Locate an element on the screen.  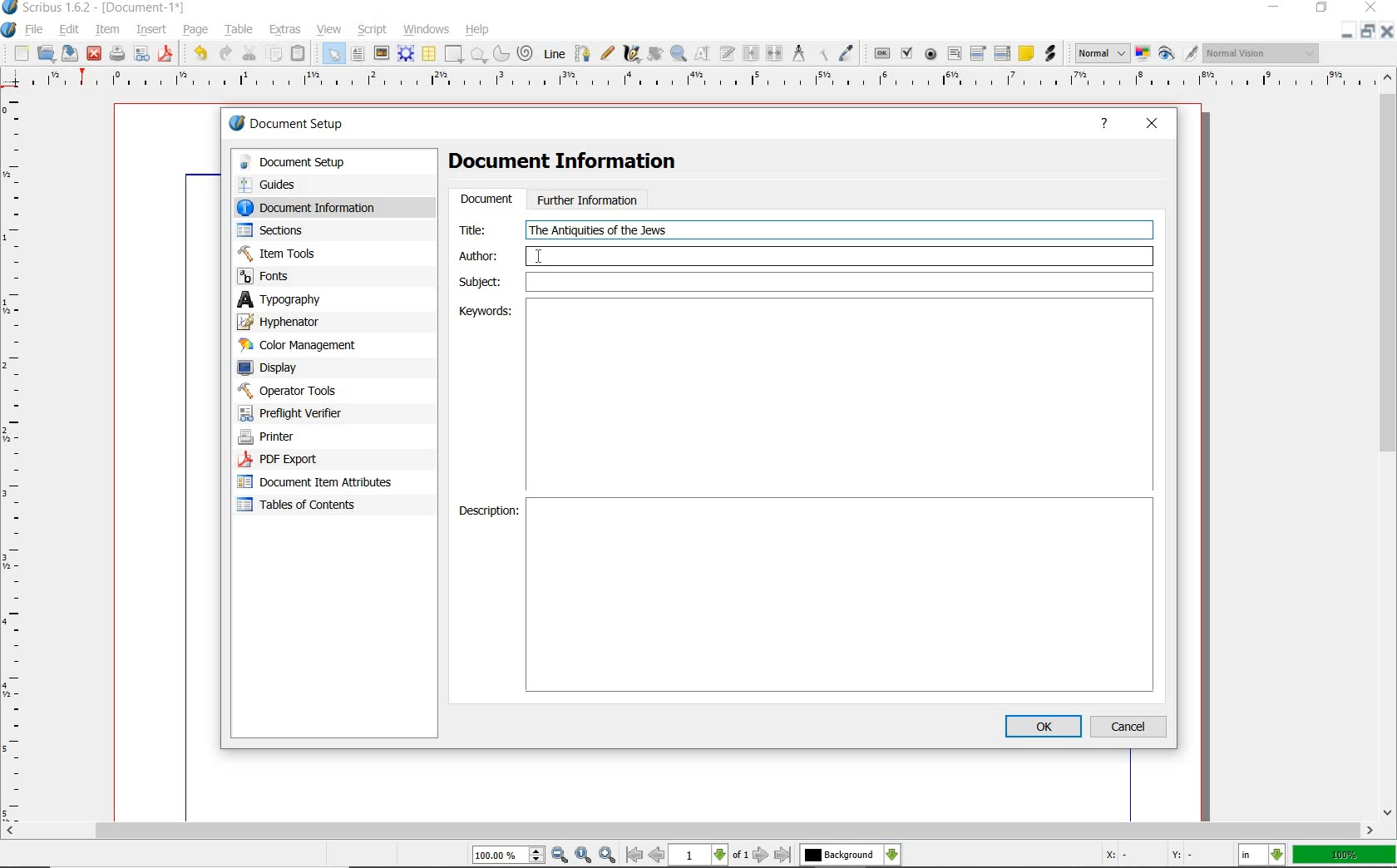
file is located at coordinates (35, 28).